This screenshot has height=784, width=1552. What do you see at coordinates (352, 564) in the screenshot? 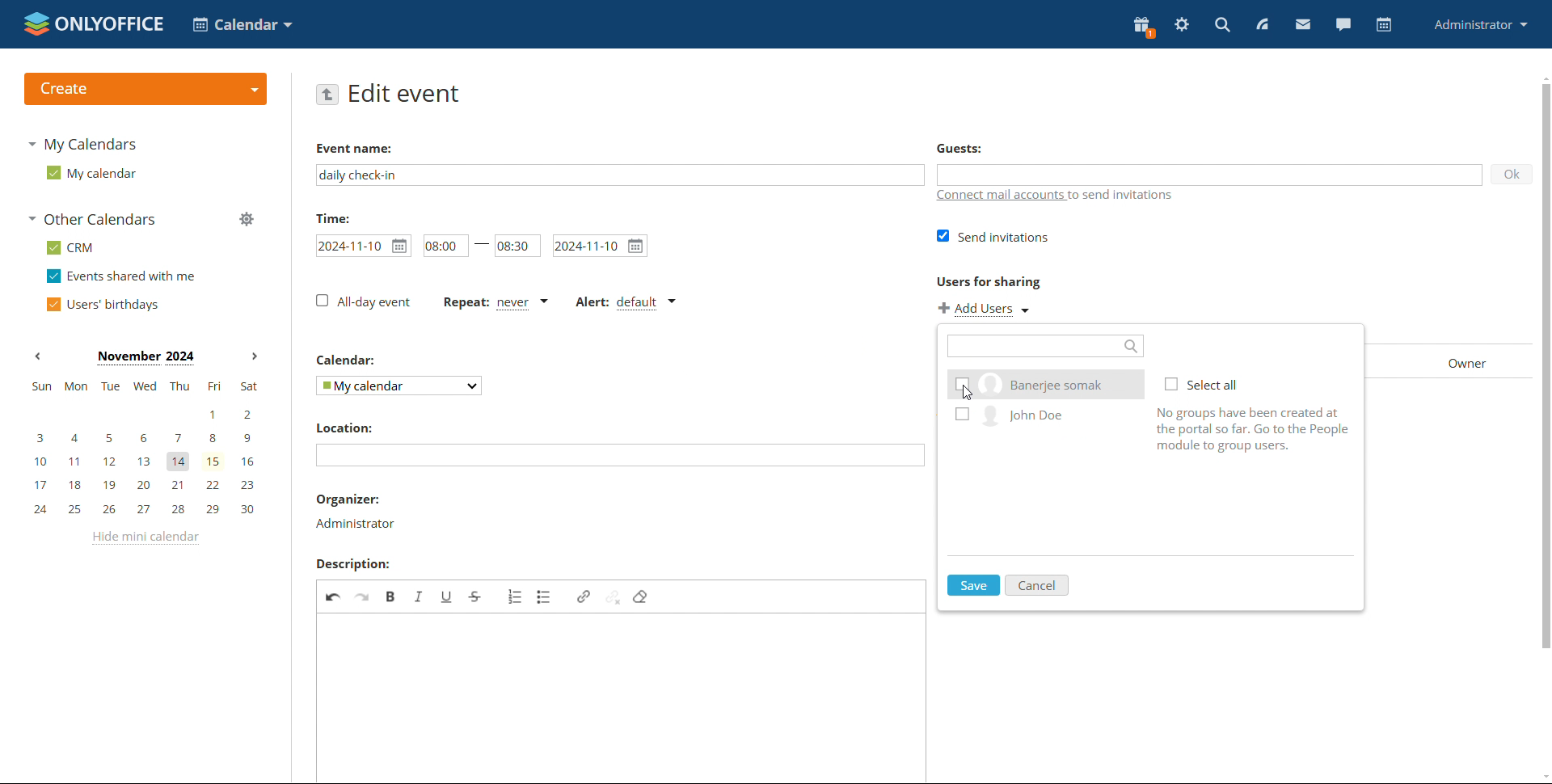
I see `description` at bounding box center [352, 564].